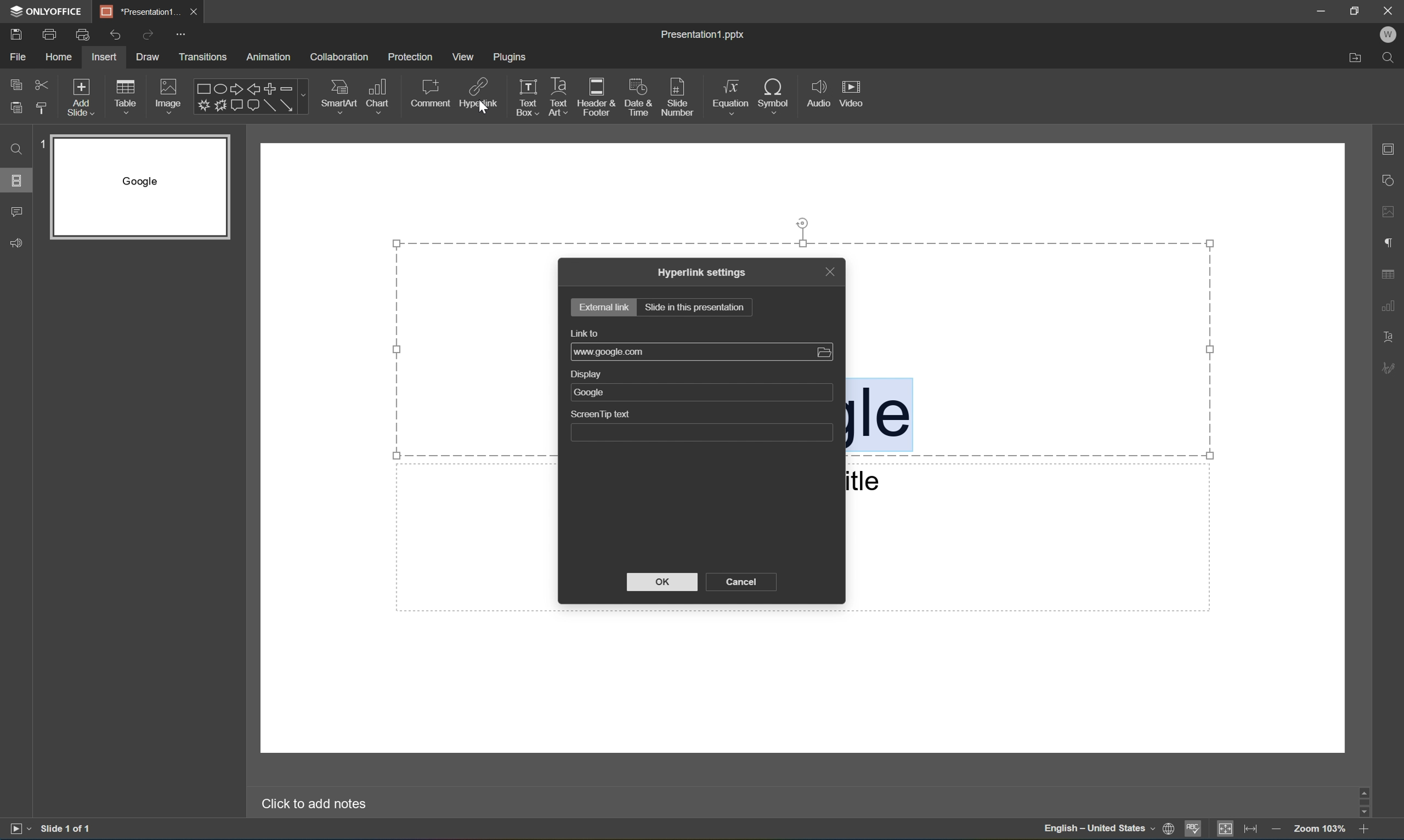 This screenshot has height=840, width=1404. Describe the element at coordinates (310, 805) in the screenshot. I see `Click to add notes` at that location.